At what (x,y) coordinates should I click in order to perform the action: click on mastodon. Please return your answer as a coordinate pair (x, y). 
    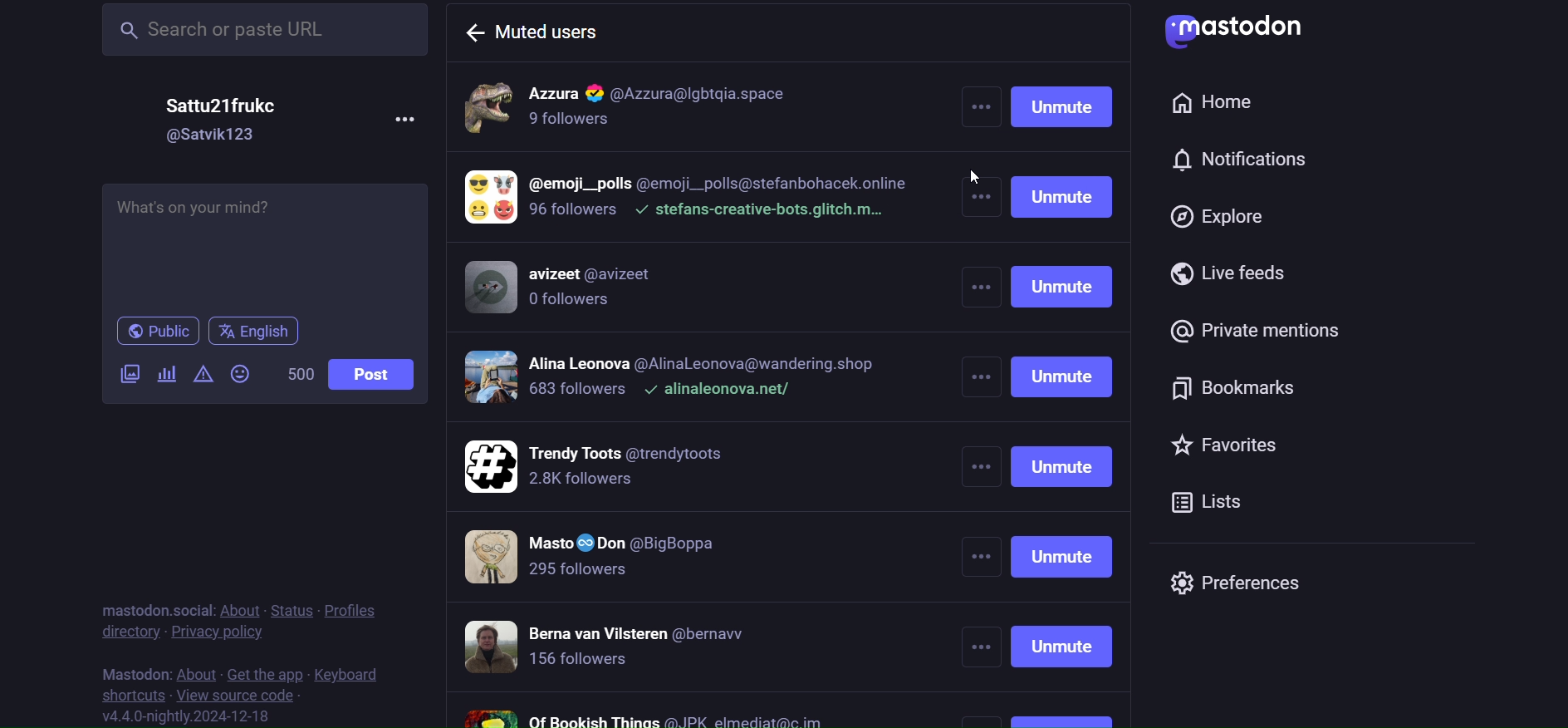
    Looking at the image, I should click on (135, 671).